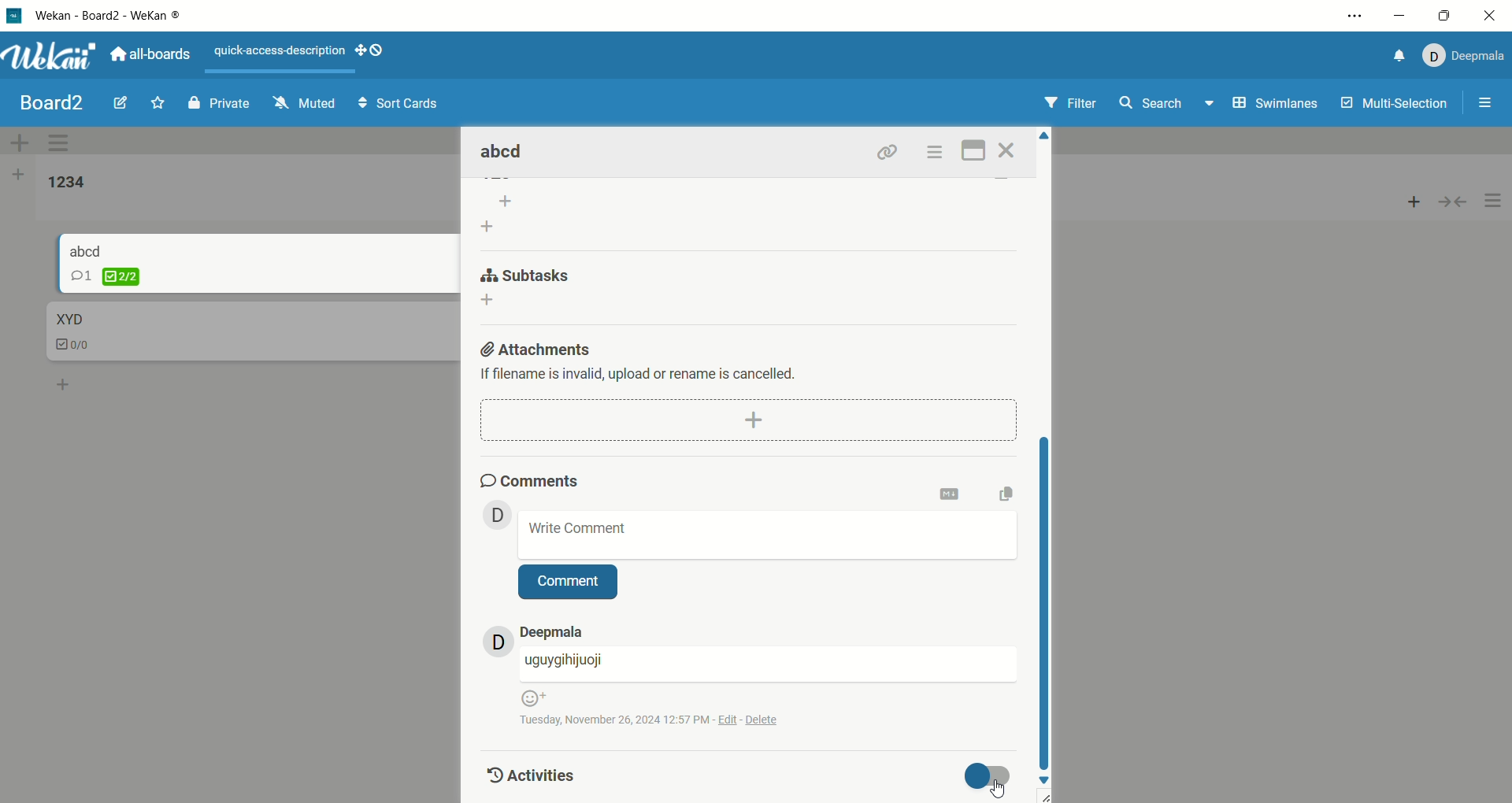 The image size is (1512, 803). I want to click on options, so click(934, 152).